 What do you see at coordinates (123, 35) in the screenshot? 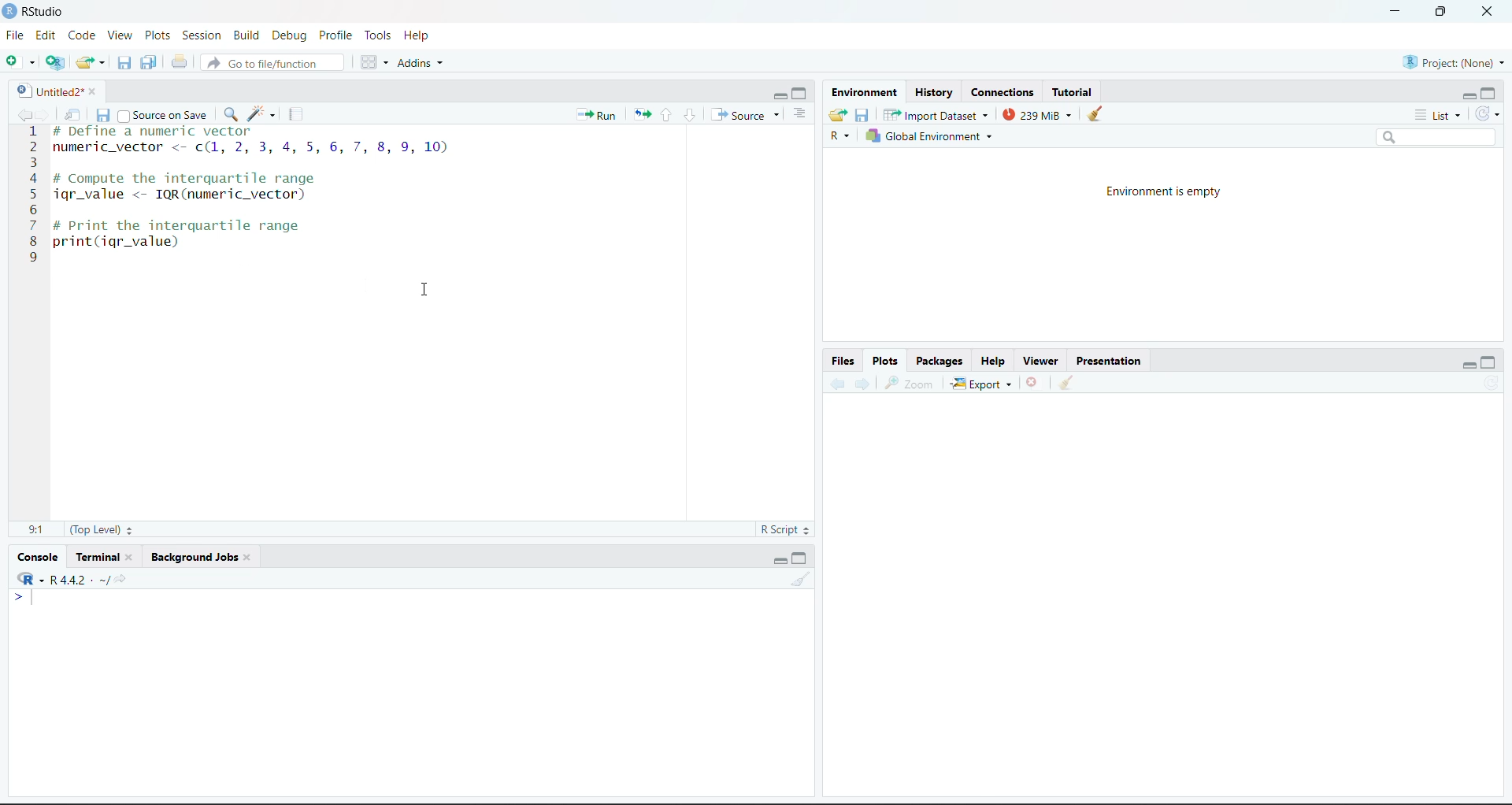
I see `View` at bounding box center [123, 35].